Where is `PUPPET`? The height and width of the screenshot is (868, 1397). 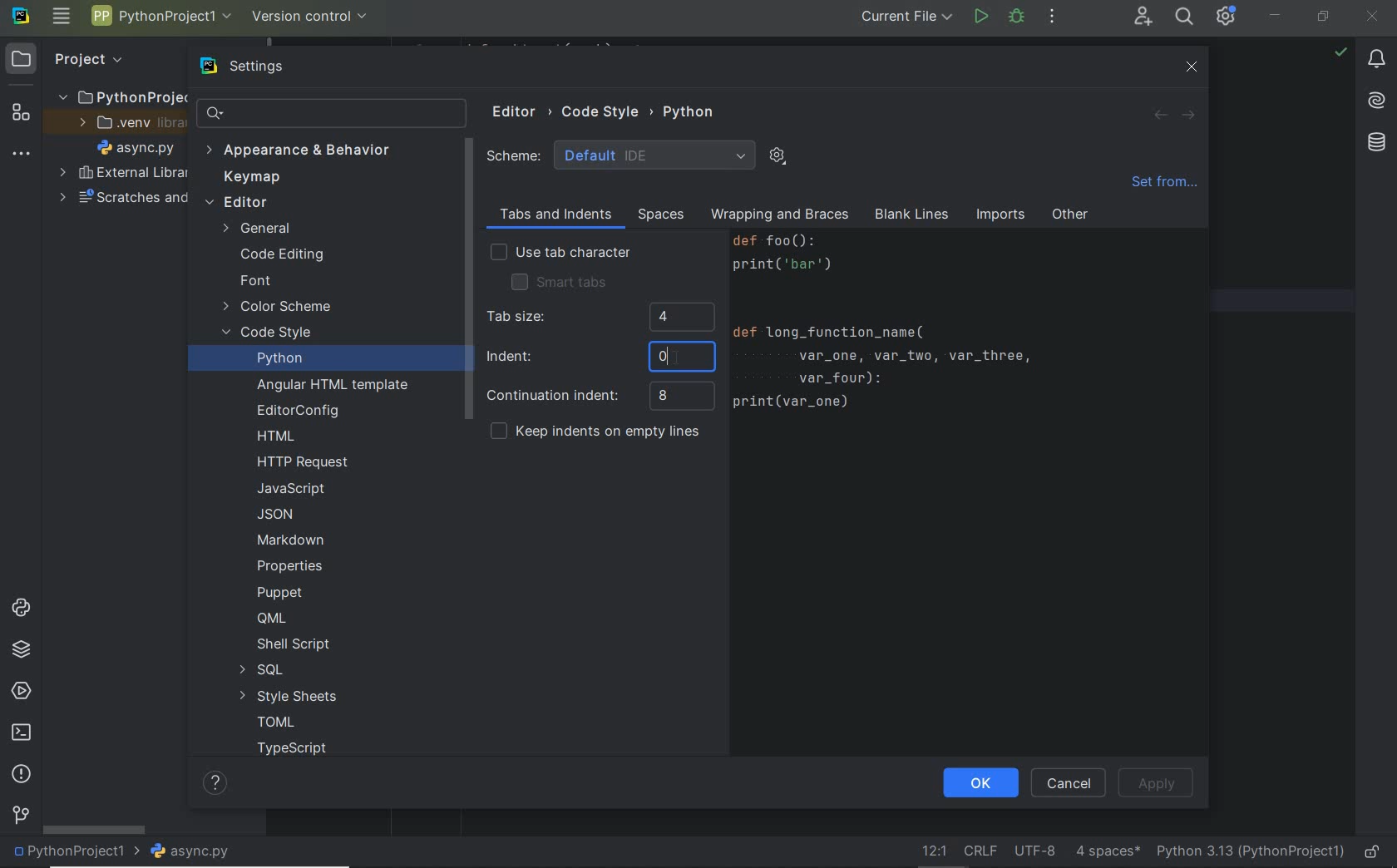
PUPPET is located at coordinates (283, 592).